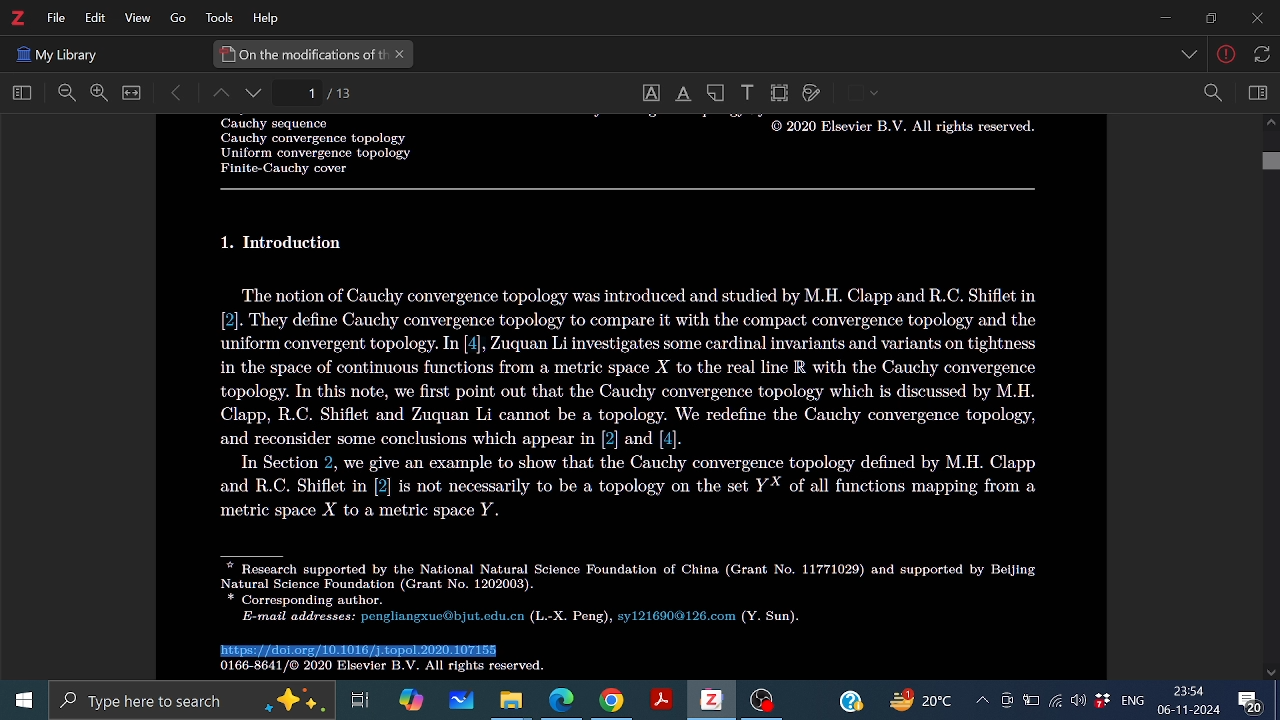  I want to click on Whiteboard, so click(459, 701).